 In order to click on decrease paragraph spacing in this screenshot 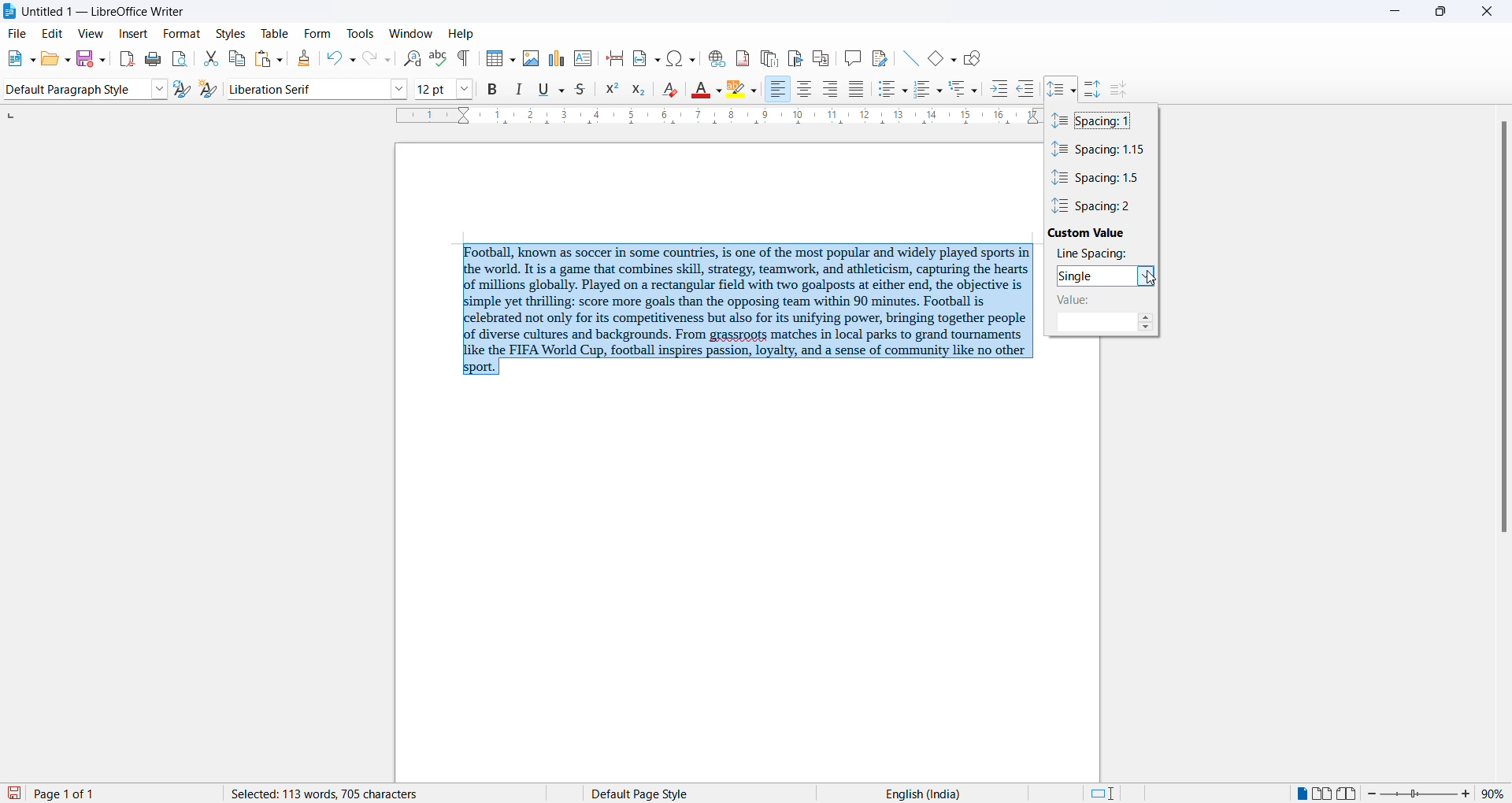, I will do `click(1121, 90)`.